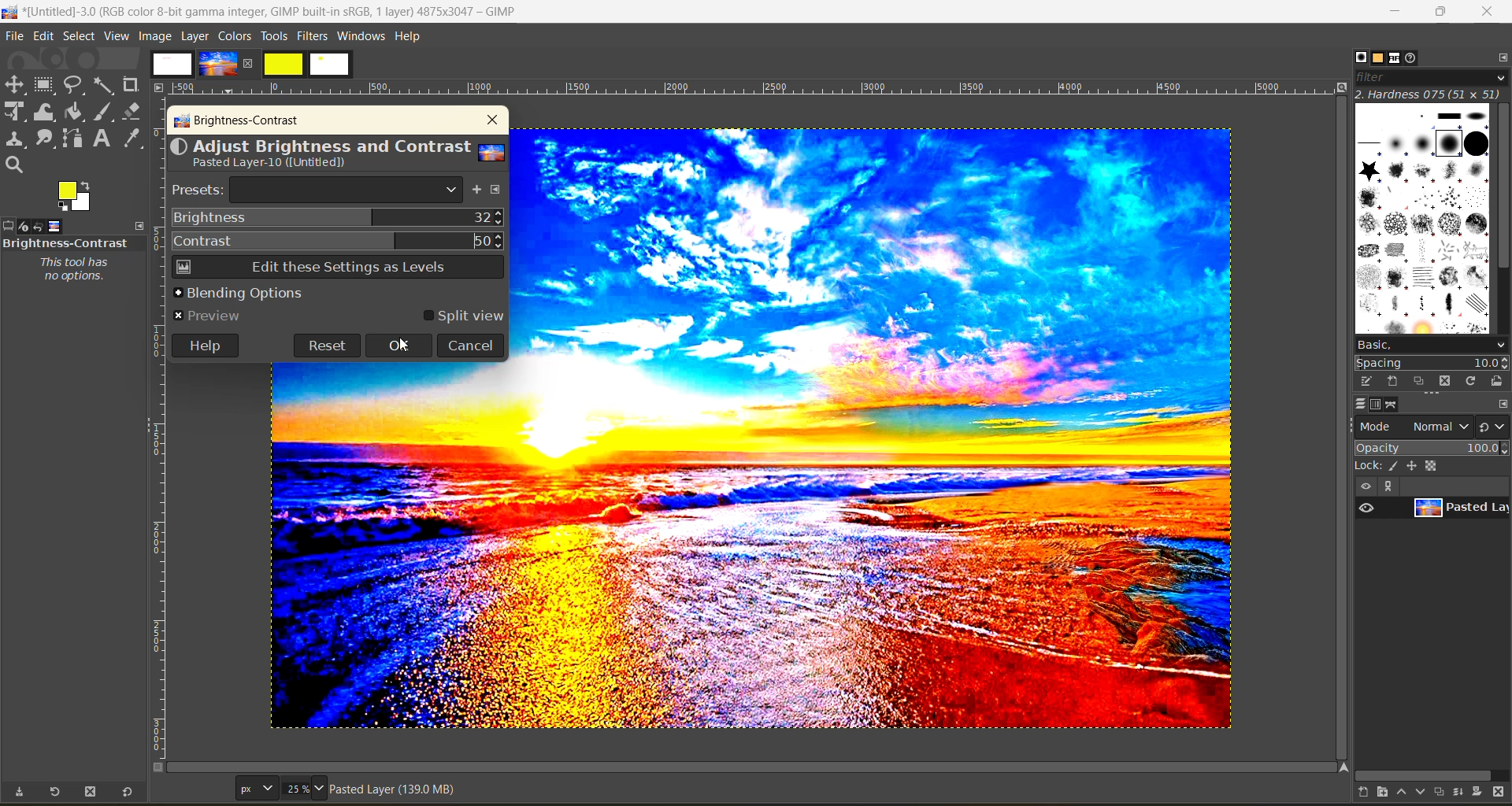 This screenshot has height=806, width=1512. What do you see at coordinates (881, 429) in the screenshot?
I see `image` at bounding box center [881, 429].